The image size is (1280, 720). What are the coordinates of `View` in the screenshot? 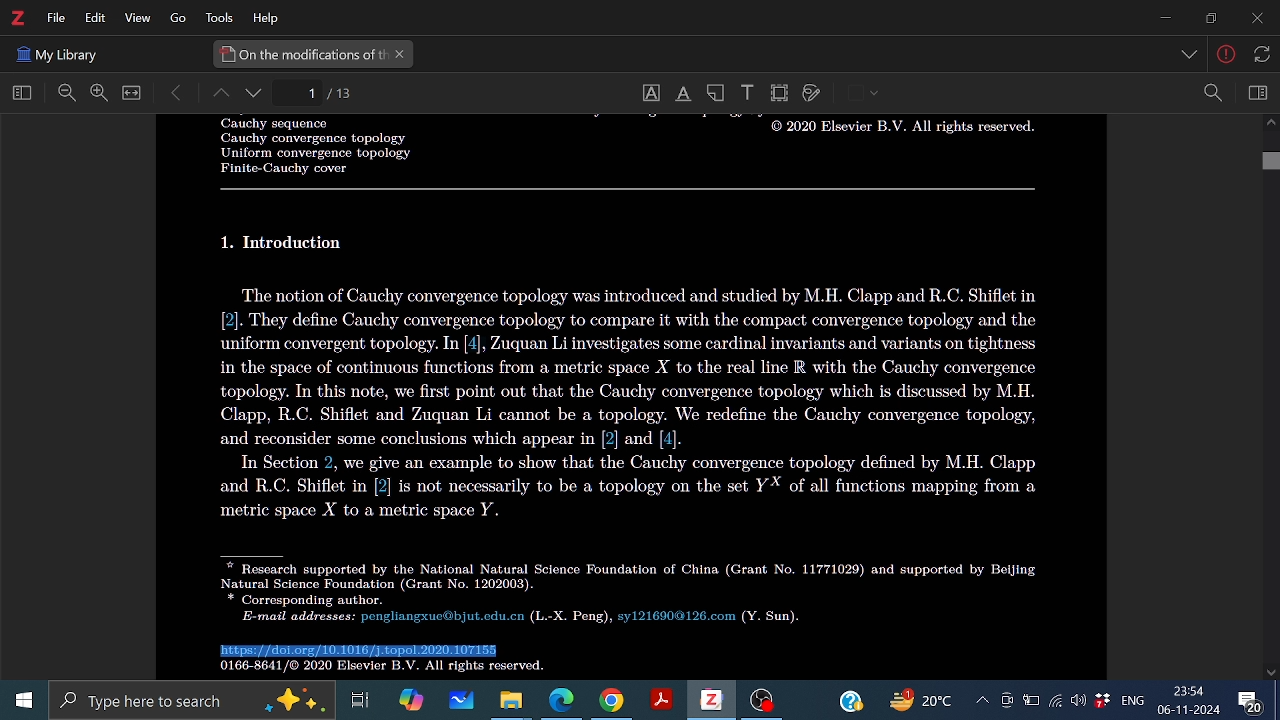 It's located at (135, 19).